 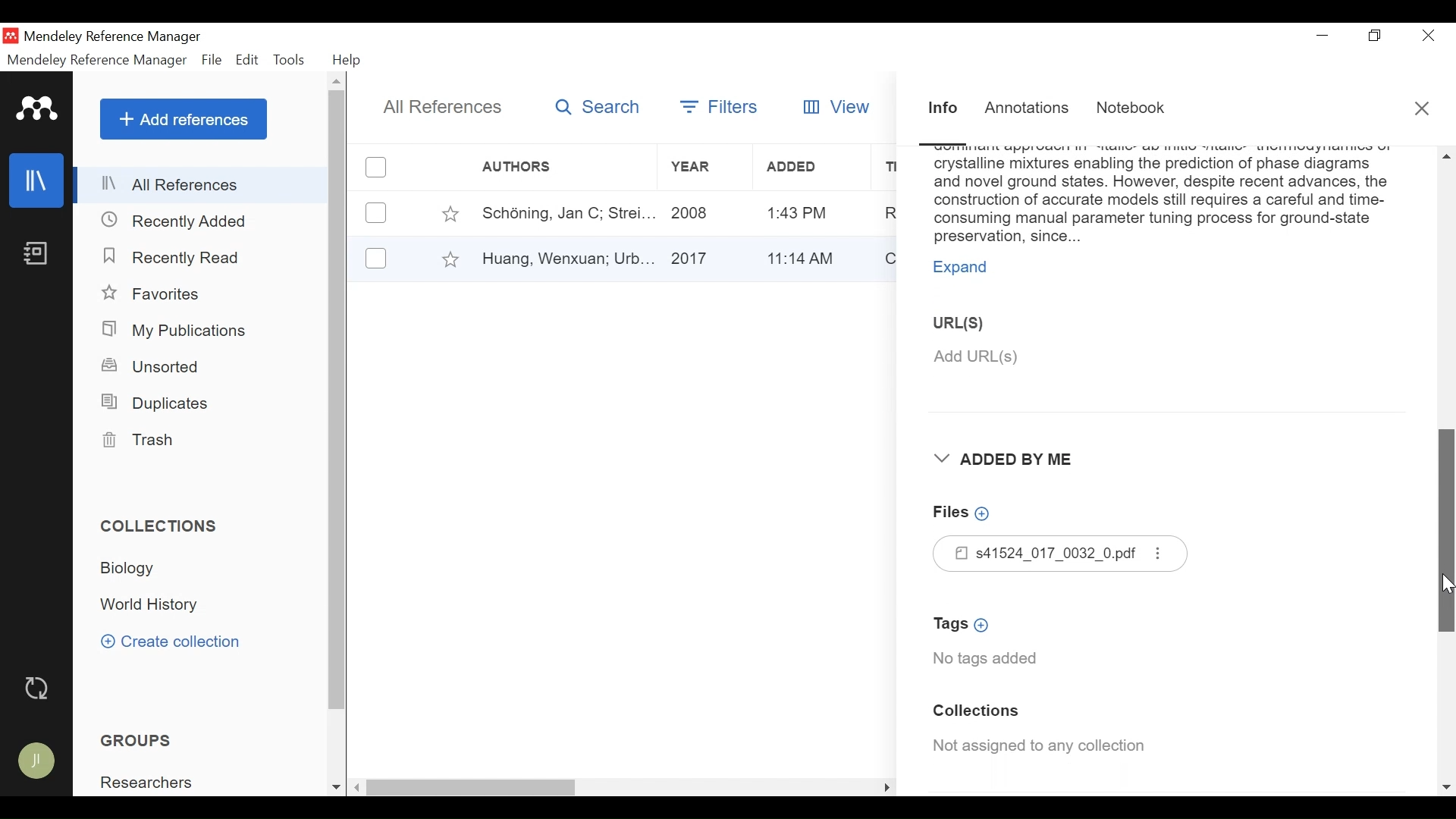 What do you see at coordinates (474, 789) in the screenshot?
I see `Vertical Scroll bar` at bounding box center [474, 789].